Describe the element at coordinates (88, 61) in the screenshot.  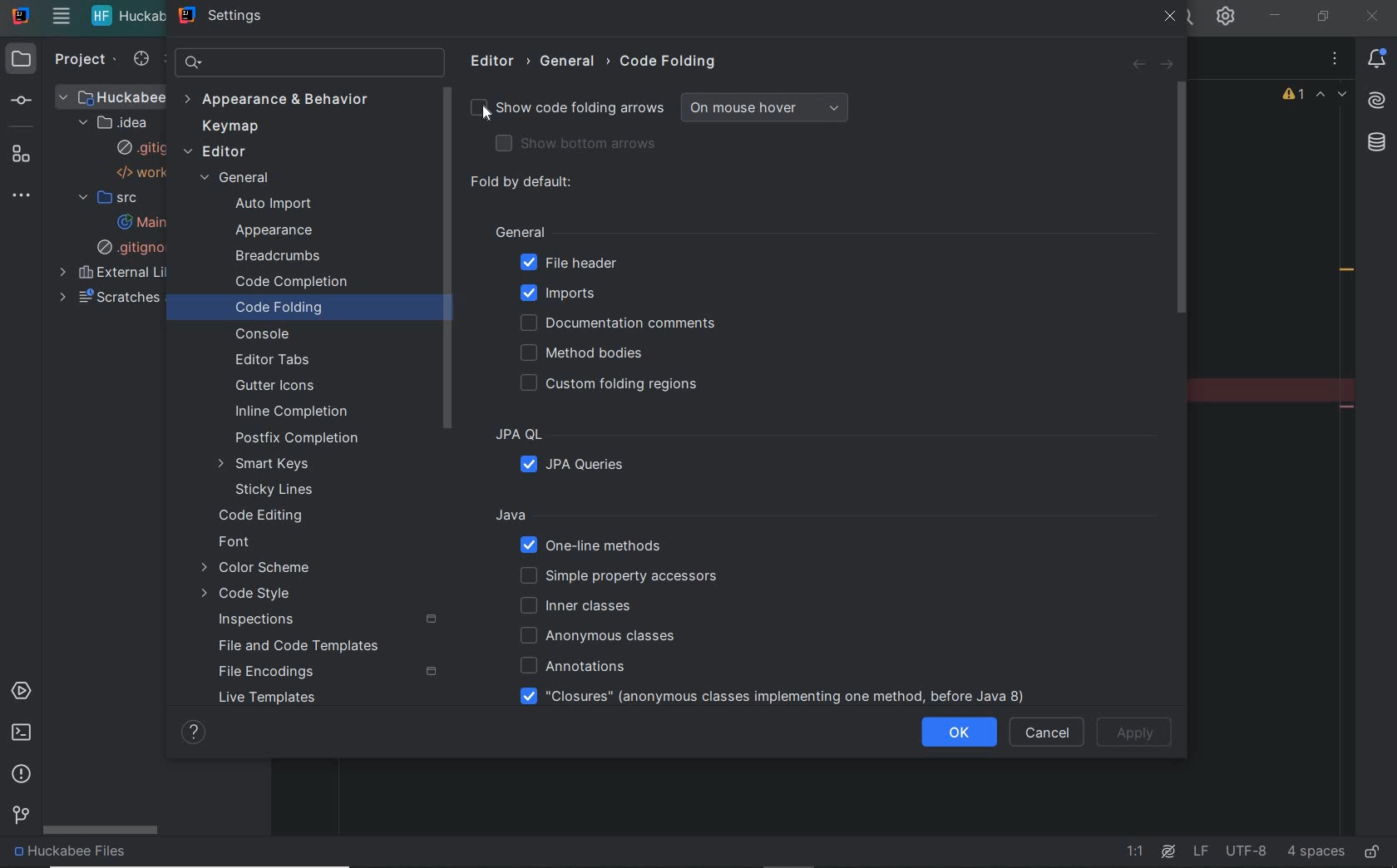
I see `project` at that location.